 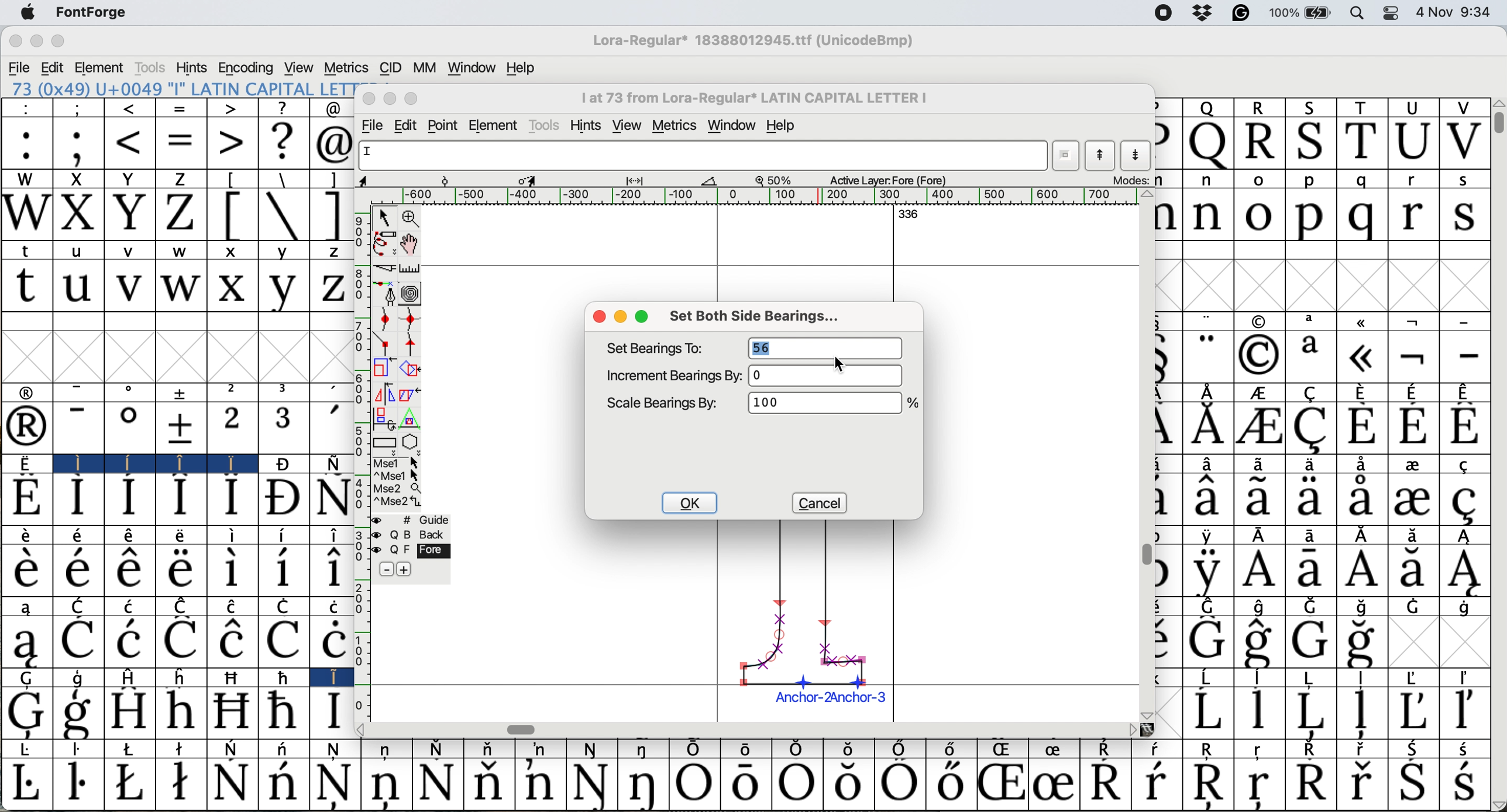 What do you see at coordinates (1363, 390) in the screenshot?
I see `Symbol` at bounding box center [1363, 390].